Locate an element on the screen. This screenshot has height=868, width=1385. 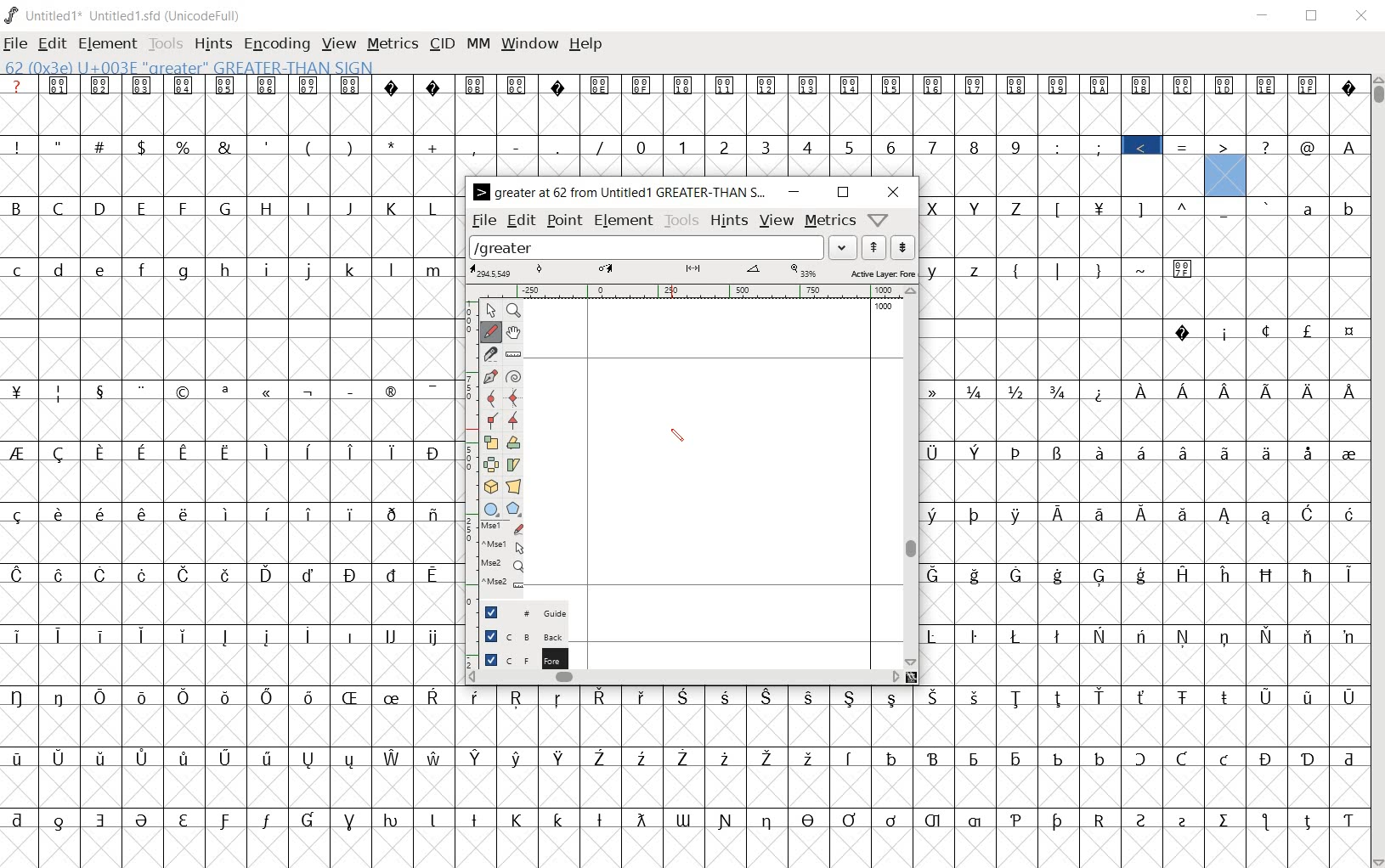
file is located at coordinates (483, 221).